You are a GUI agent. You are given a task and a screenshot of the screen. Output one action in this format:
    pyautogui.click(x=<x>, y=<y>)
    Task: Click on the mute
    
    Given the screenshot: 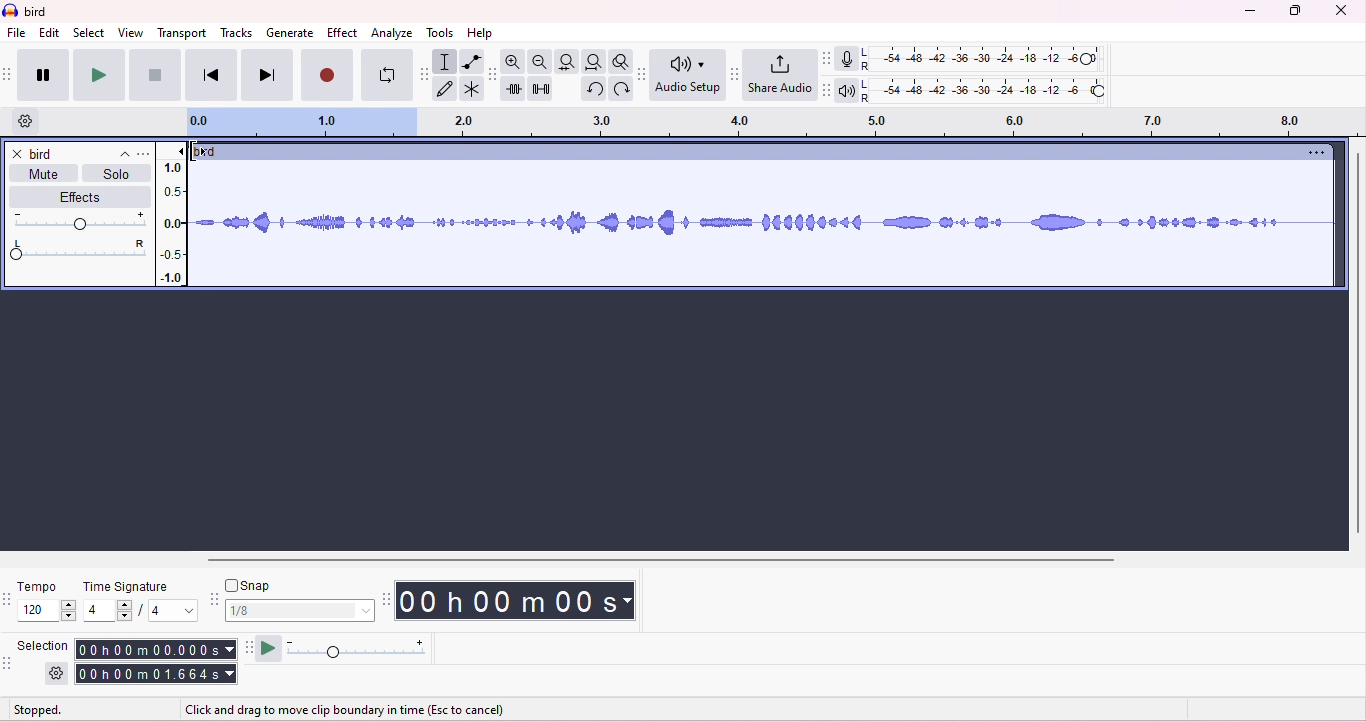 What is the action you would take?
    pyautogui.click(x=44, y=177)
    